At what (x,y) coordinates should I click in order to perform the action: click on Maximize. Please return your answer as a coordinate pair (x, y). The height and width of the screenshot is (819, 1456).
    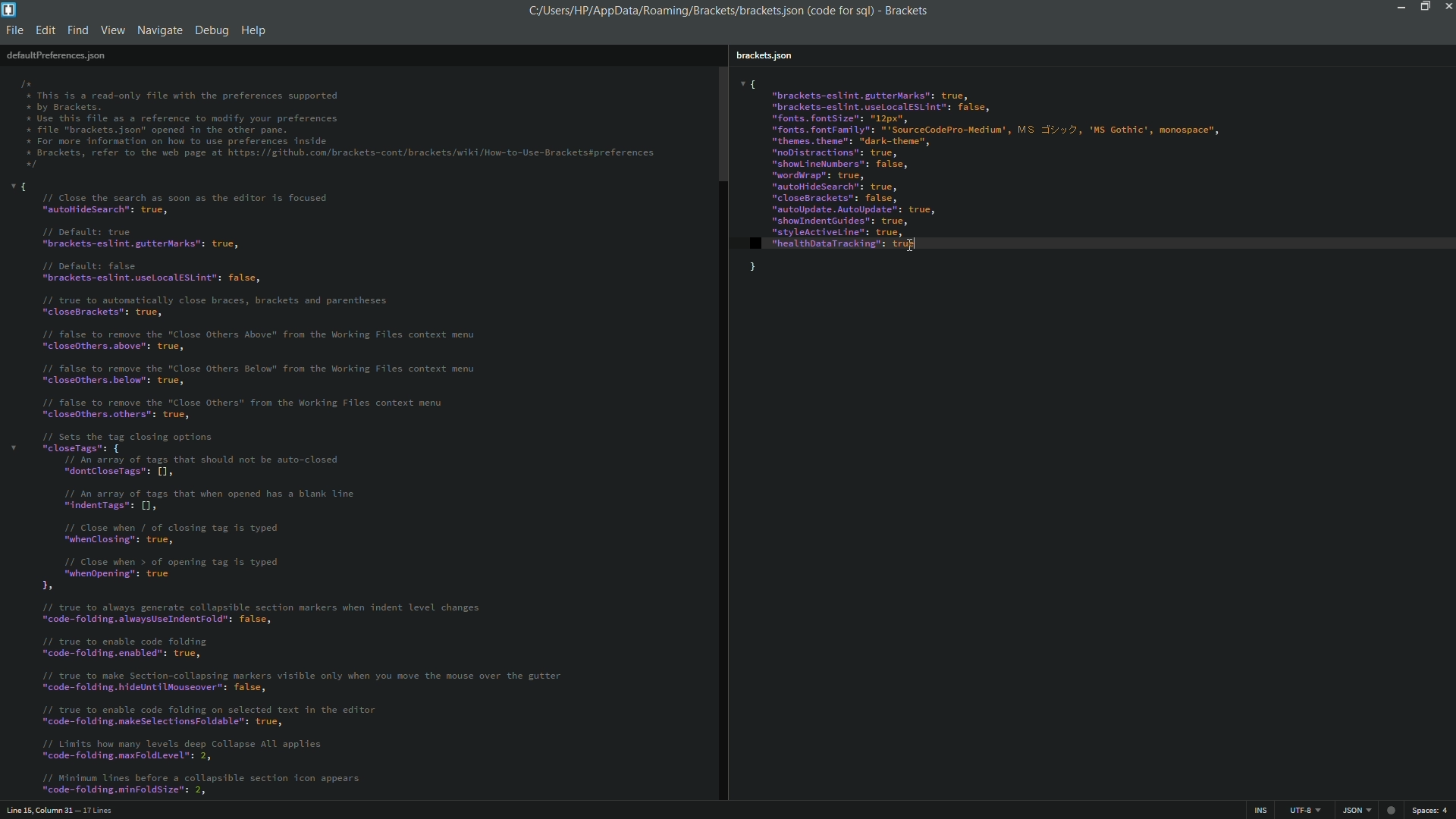
    Looking at the image, I should click on (1423, 6).